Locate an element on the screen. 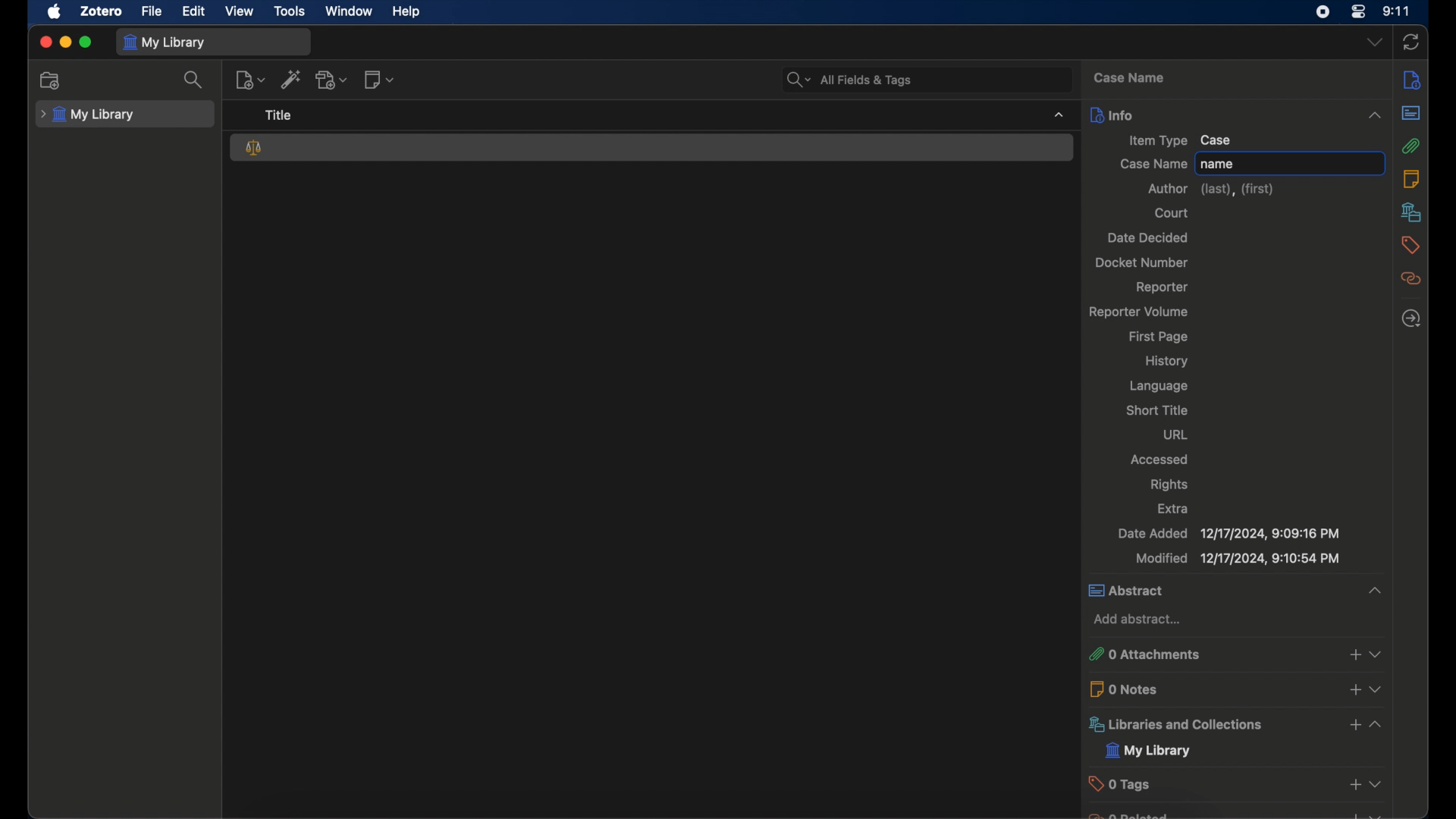  title is located at coordinates (278, 115).